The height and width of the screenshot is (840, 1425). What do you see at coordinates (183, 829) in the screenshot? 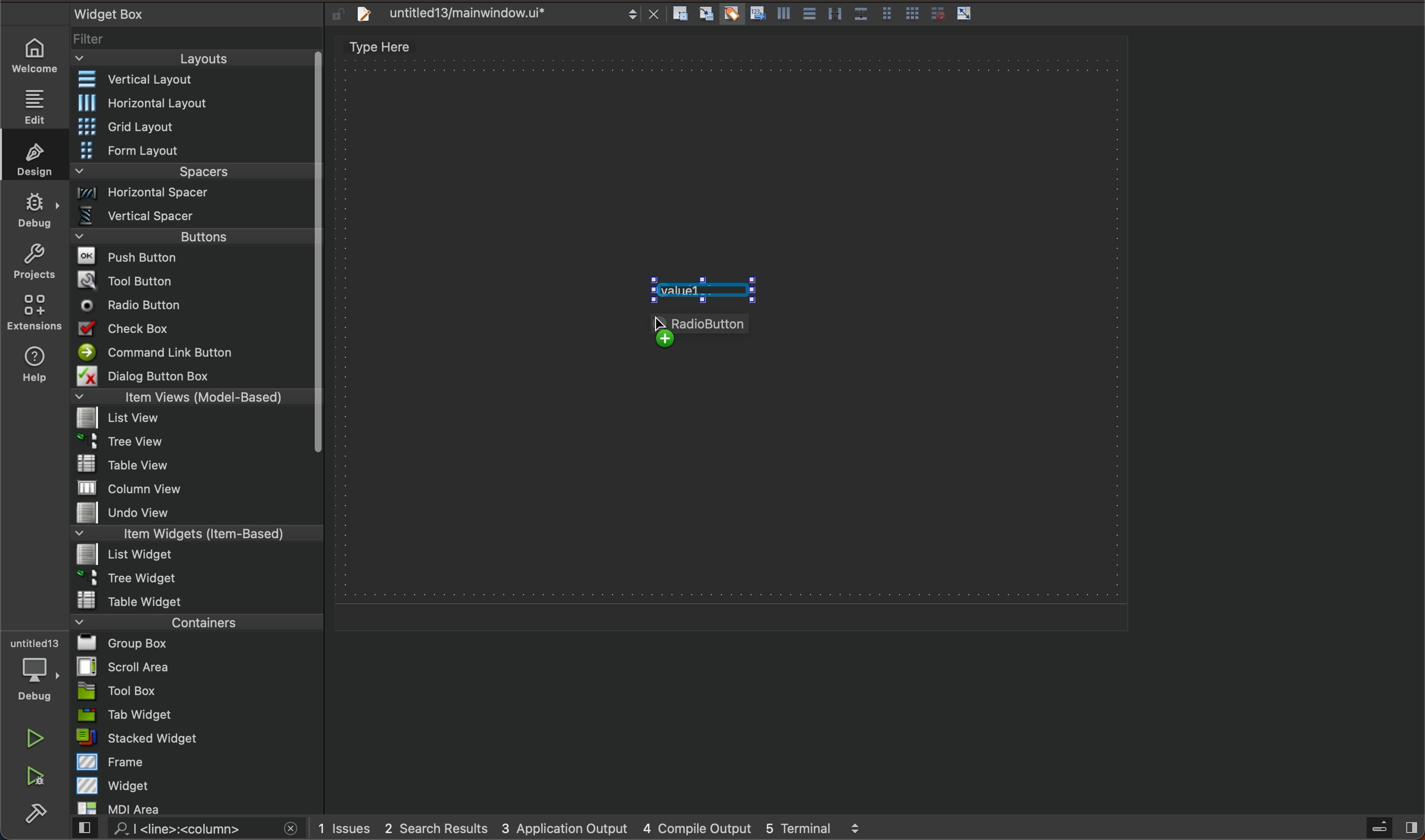
I see `search` at bounding box center [183, 829].